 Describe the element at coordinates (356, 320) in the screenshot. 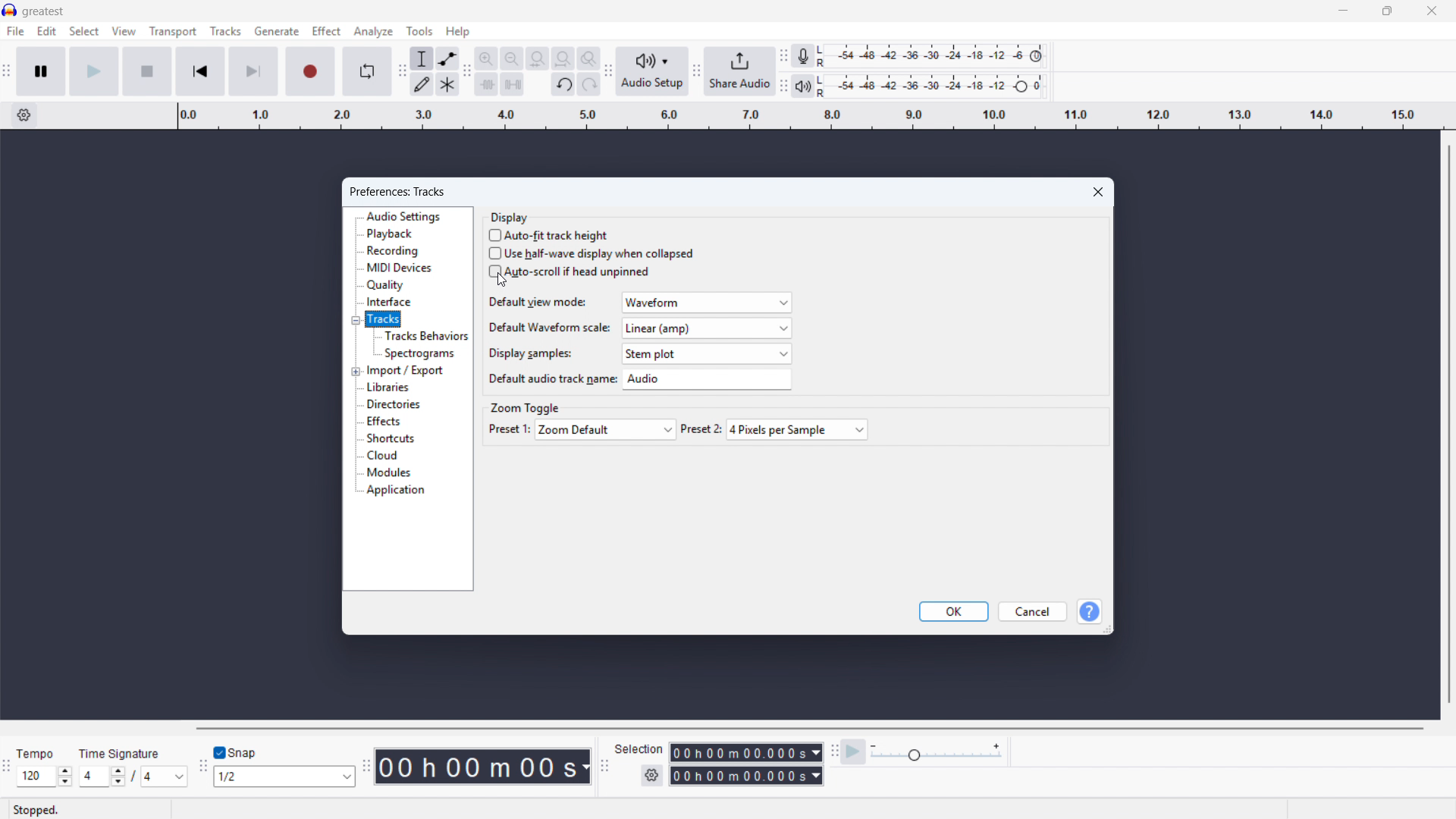

I see `Collapse ` at that location.